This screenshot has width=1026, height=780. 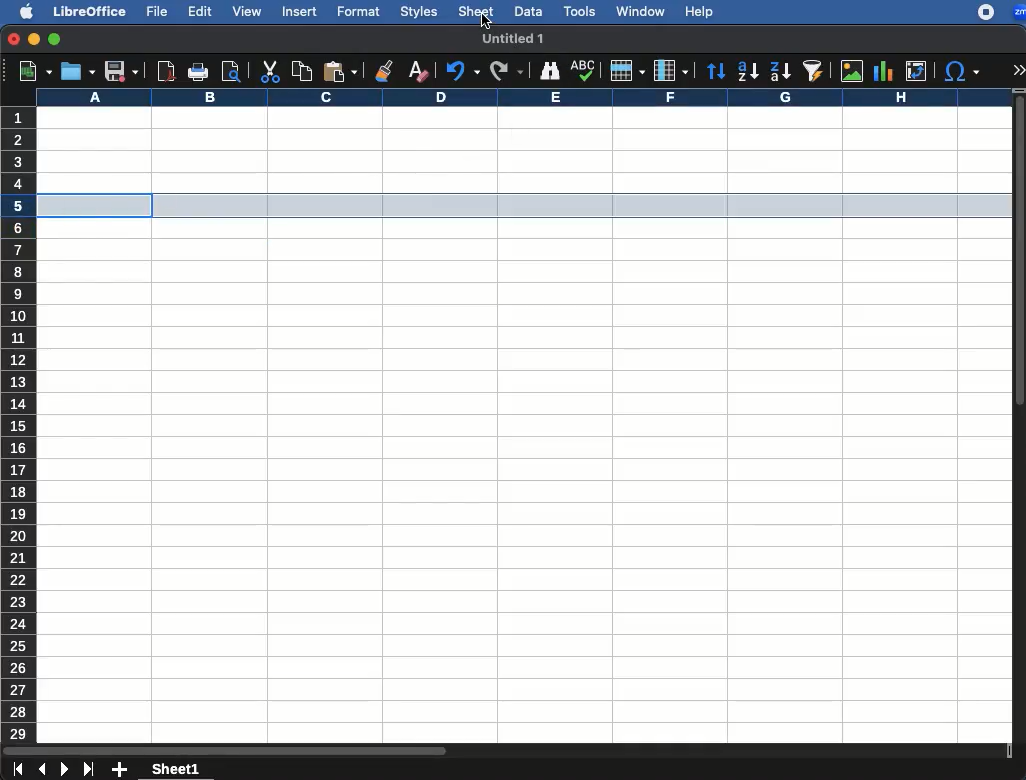 I want to click on close, so click(x=12, y=39).